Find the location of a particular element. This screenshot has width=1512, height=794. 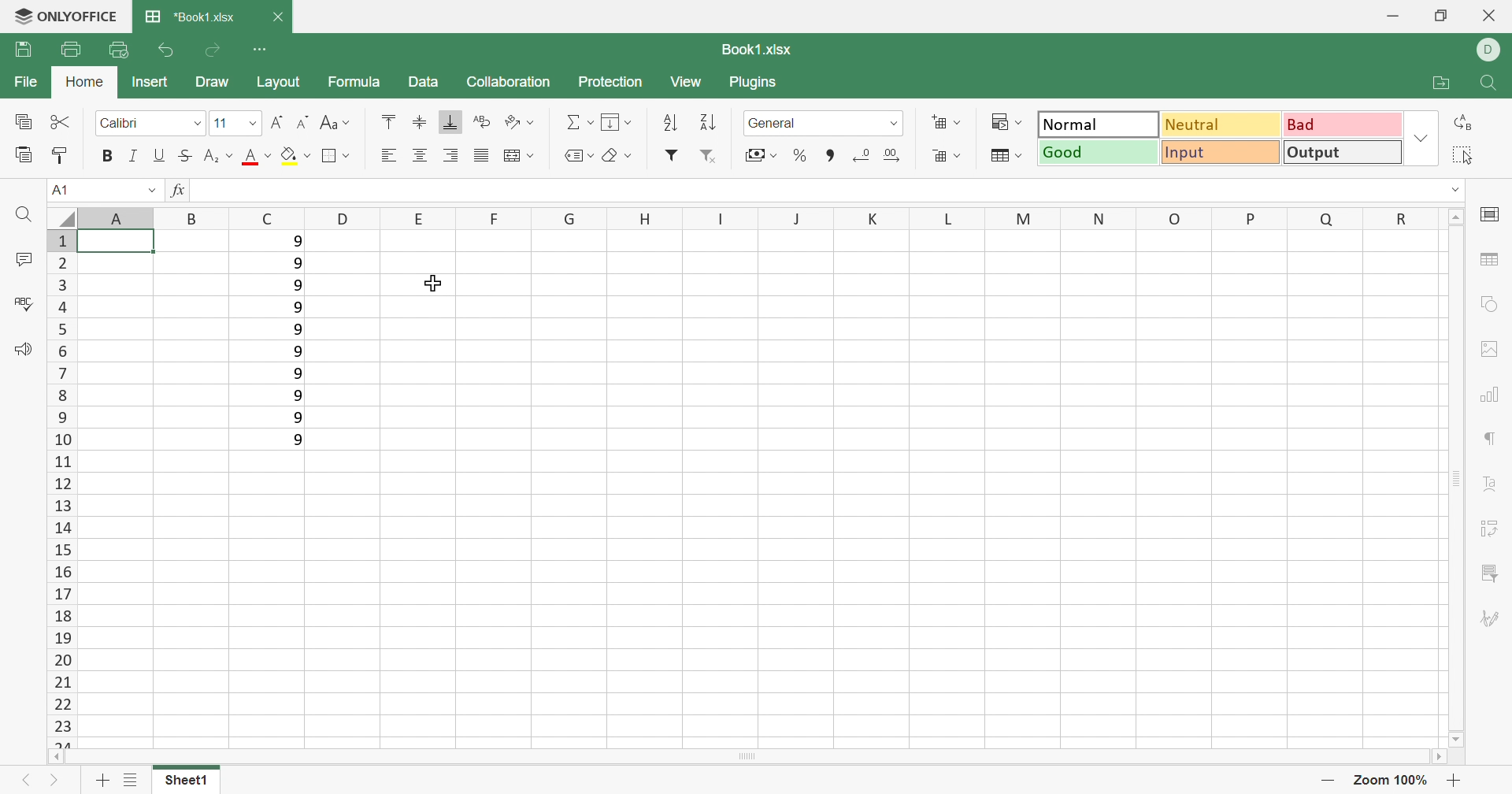

Decrement font size is located at coordinates (303, 121).